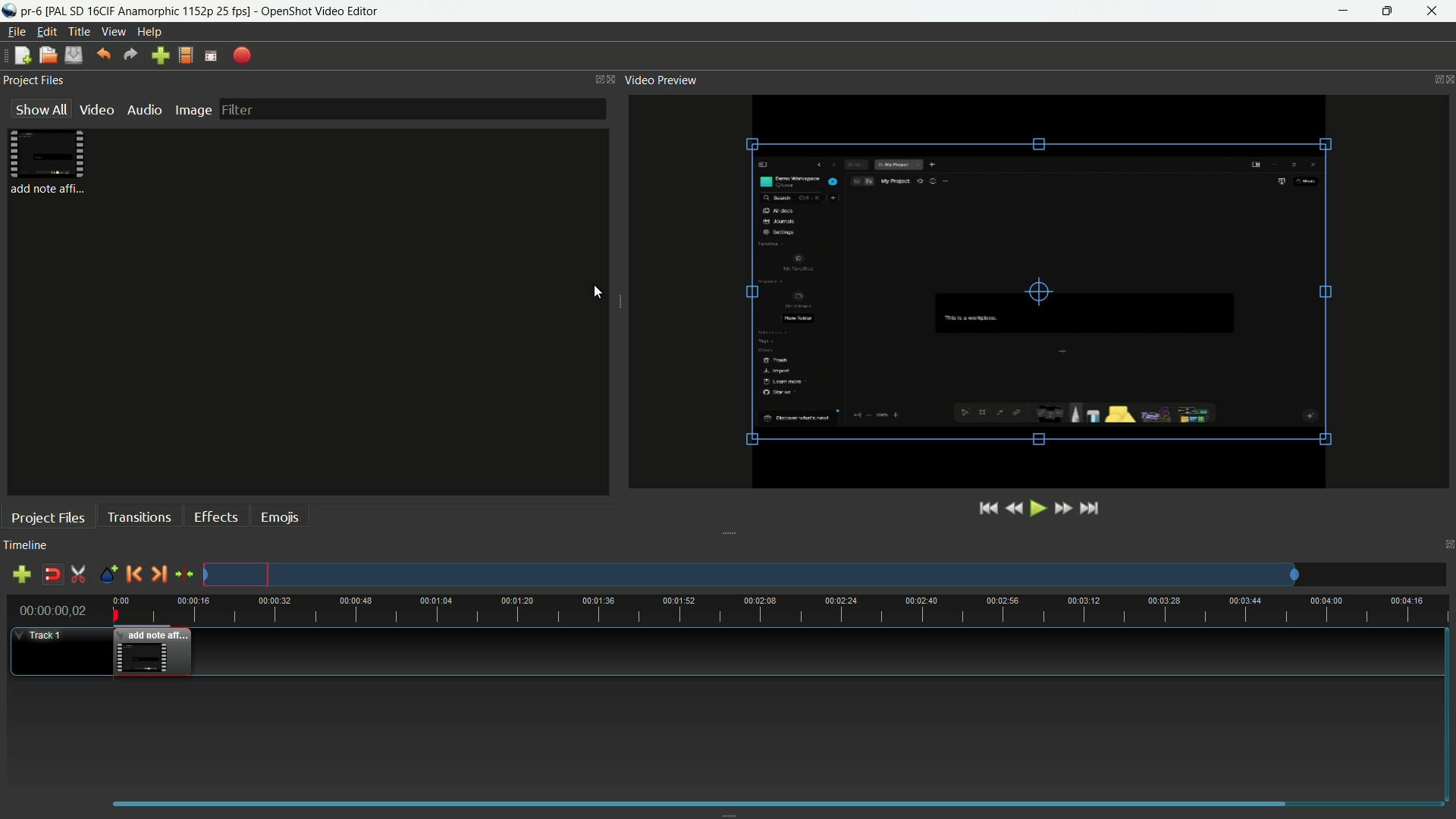  I want to click on jump to end, so click(1090, 507).